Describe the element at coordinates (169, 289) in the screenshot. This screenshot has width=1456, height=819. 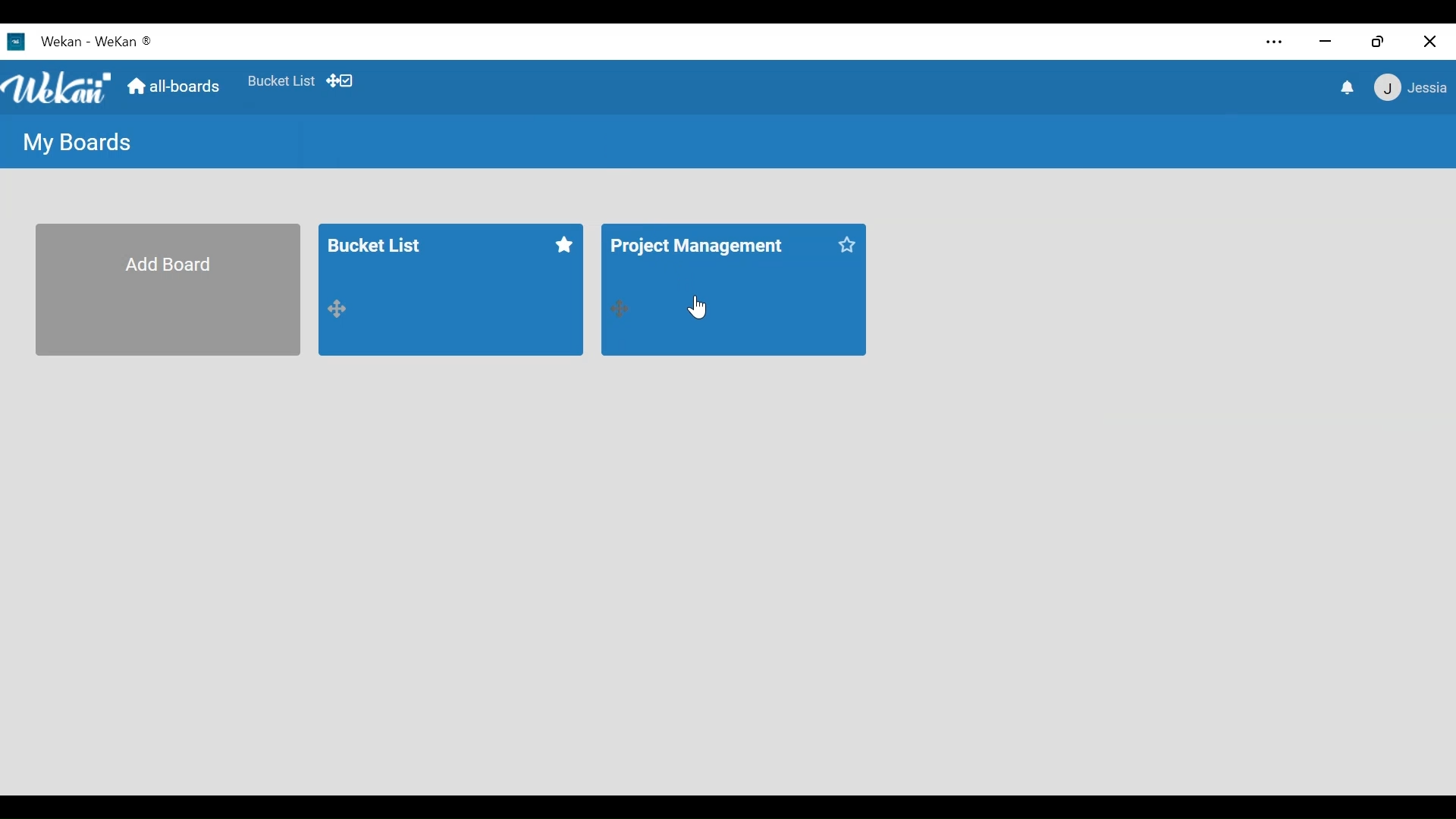
I see `Add Board` at that location.